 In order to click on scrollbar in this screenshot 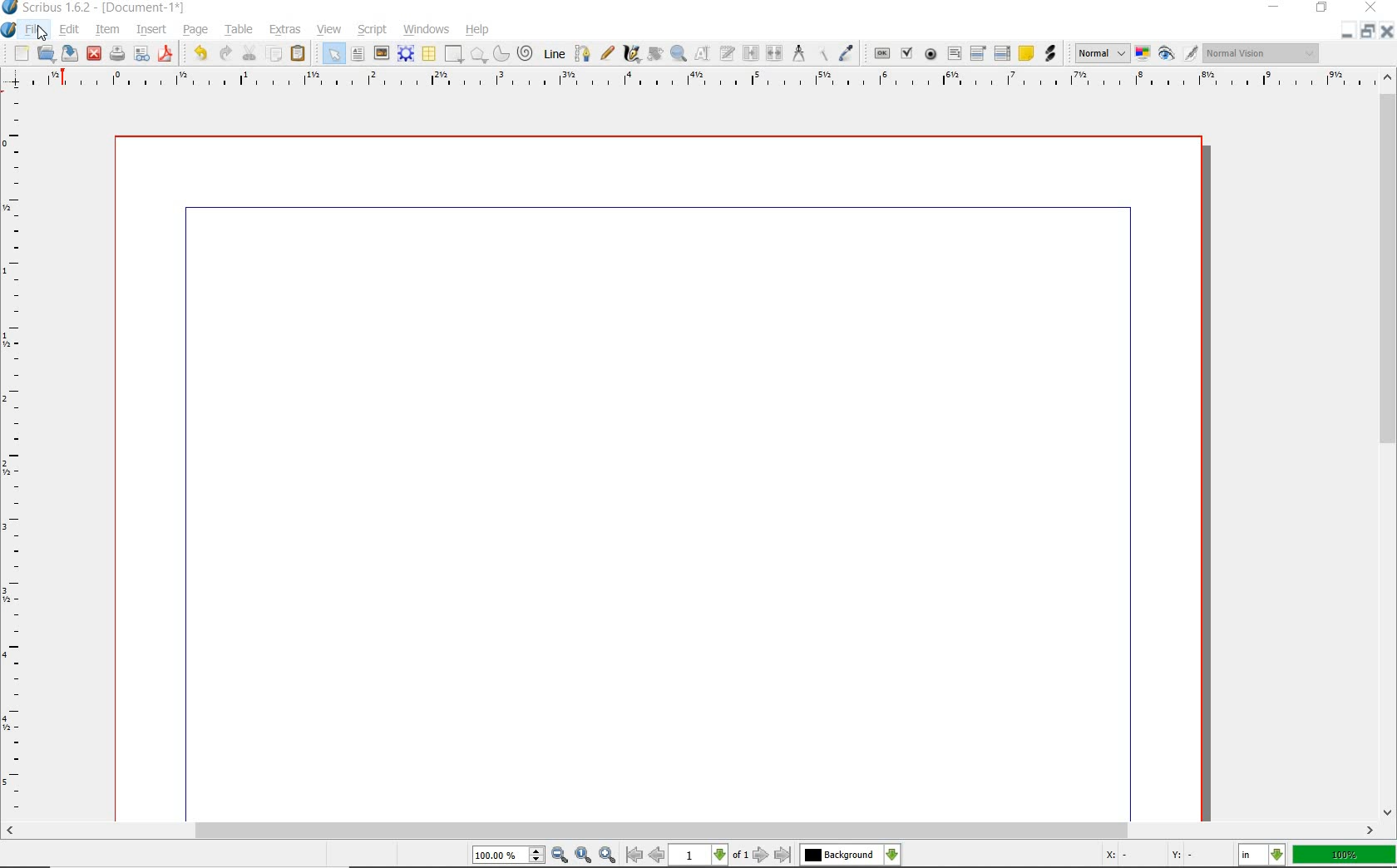, I will do `click(1387, 445)`.